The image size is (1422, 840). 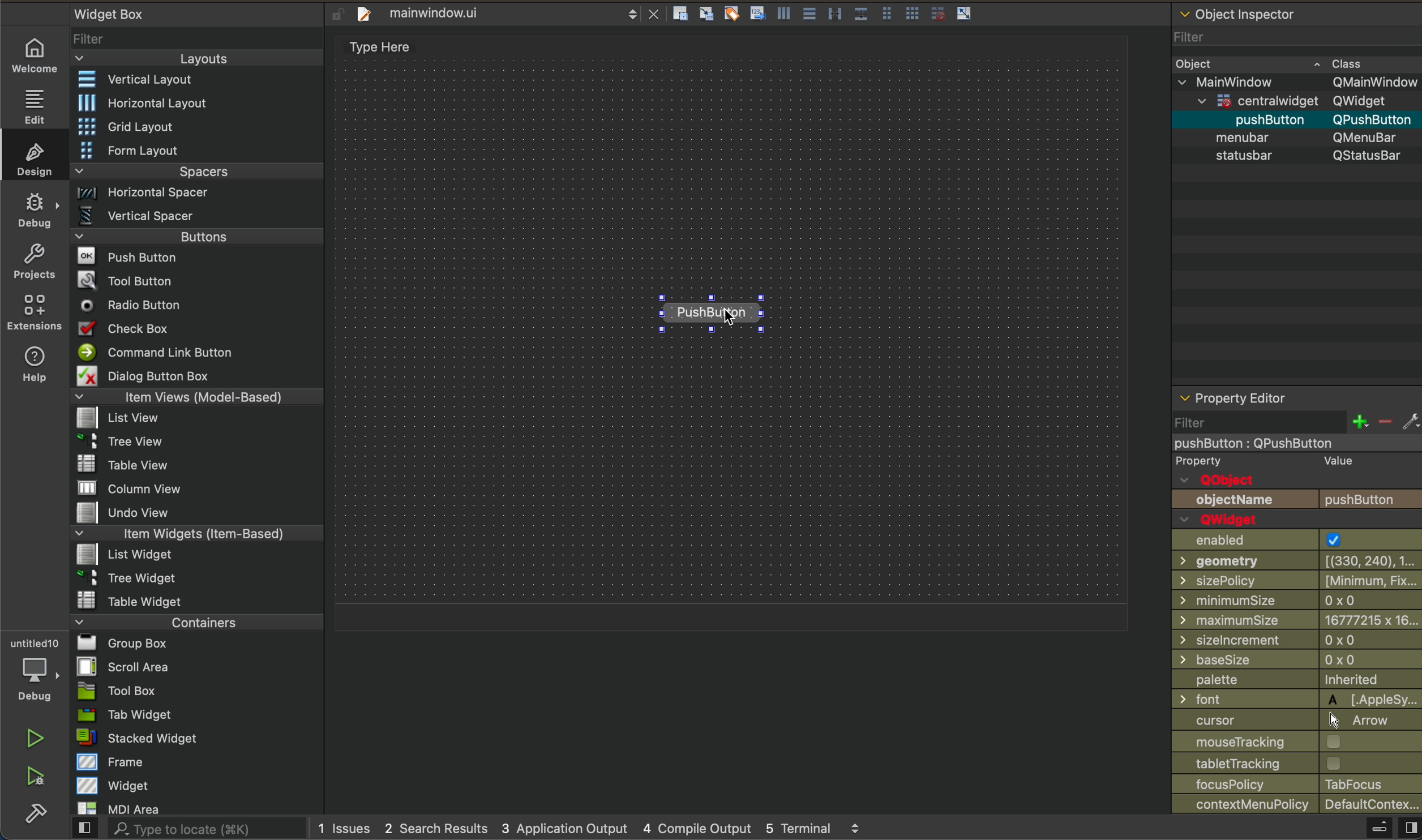 What do you see at coordinates (192, 556) in the screenshot?
I see `list widget` at bounding box center [192, 556].